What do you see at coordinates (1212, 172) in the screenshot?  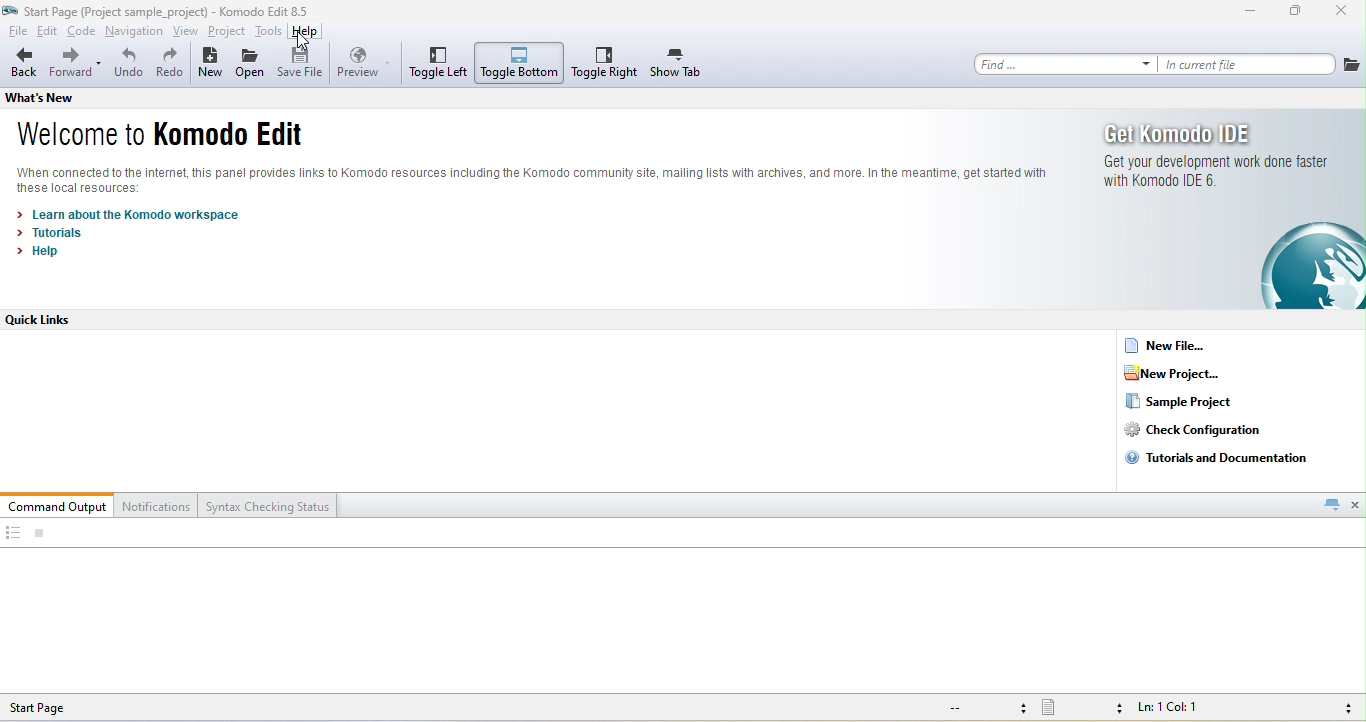 I see `get your development with done faster with komodo ide 6` at bounding box center [1212, 172].